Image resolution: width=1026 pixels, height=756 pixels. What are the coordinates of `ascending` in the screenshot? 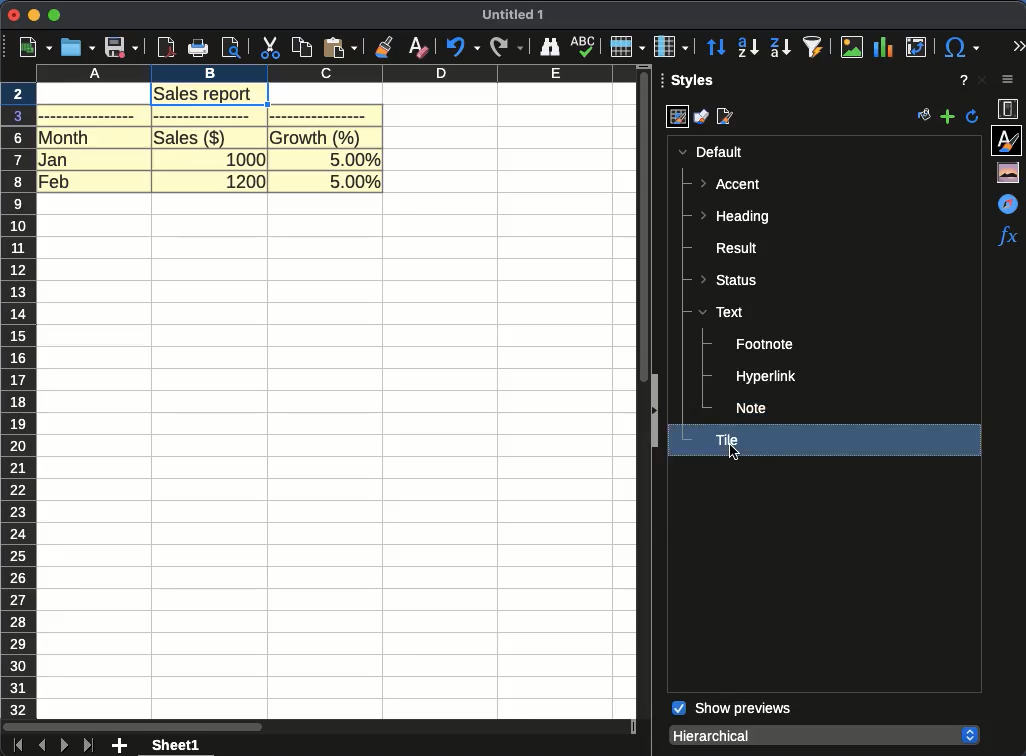 It's located at (748, 47).